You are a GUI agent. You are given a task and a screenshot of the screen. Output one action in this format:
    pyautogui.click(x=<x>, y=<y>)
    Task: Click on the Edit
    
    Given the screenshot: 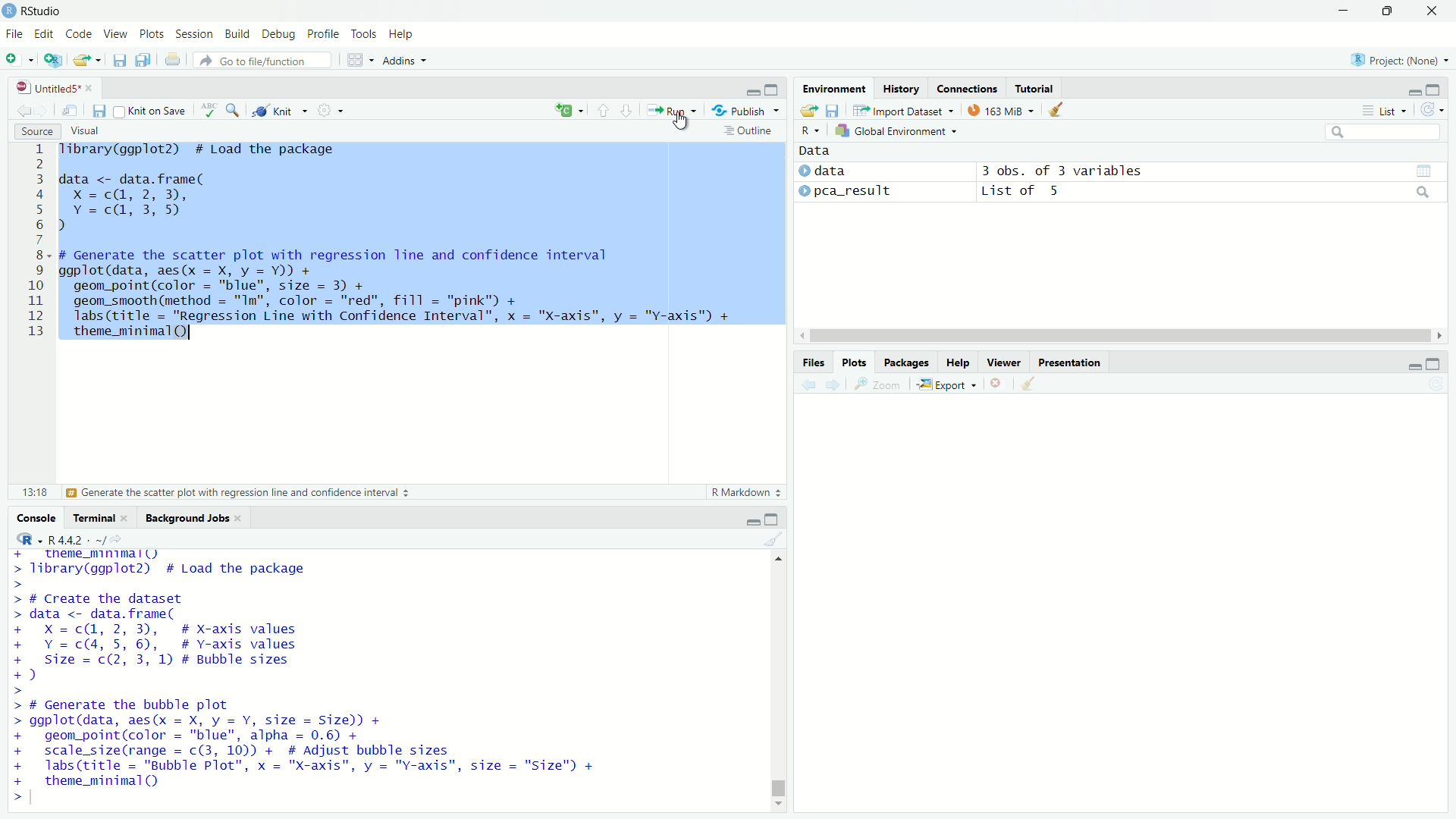 What is the action you would take?
    pyautogui.click(x=44, y=33)
    